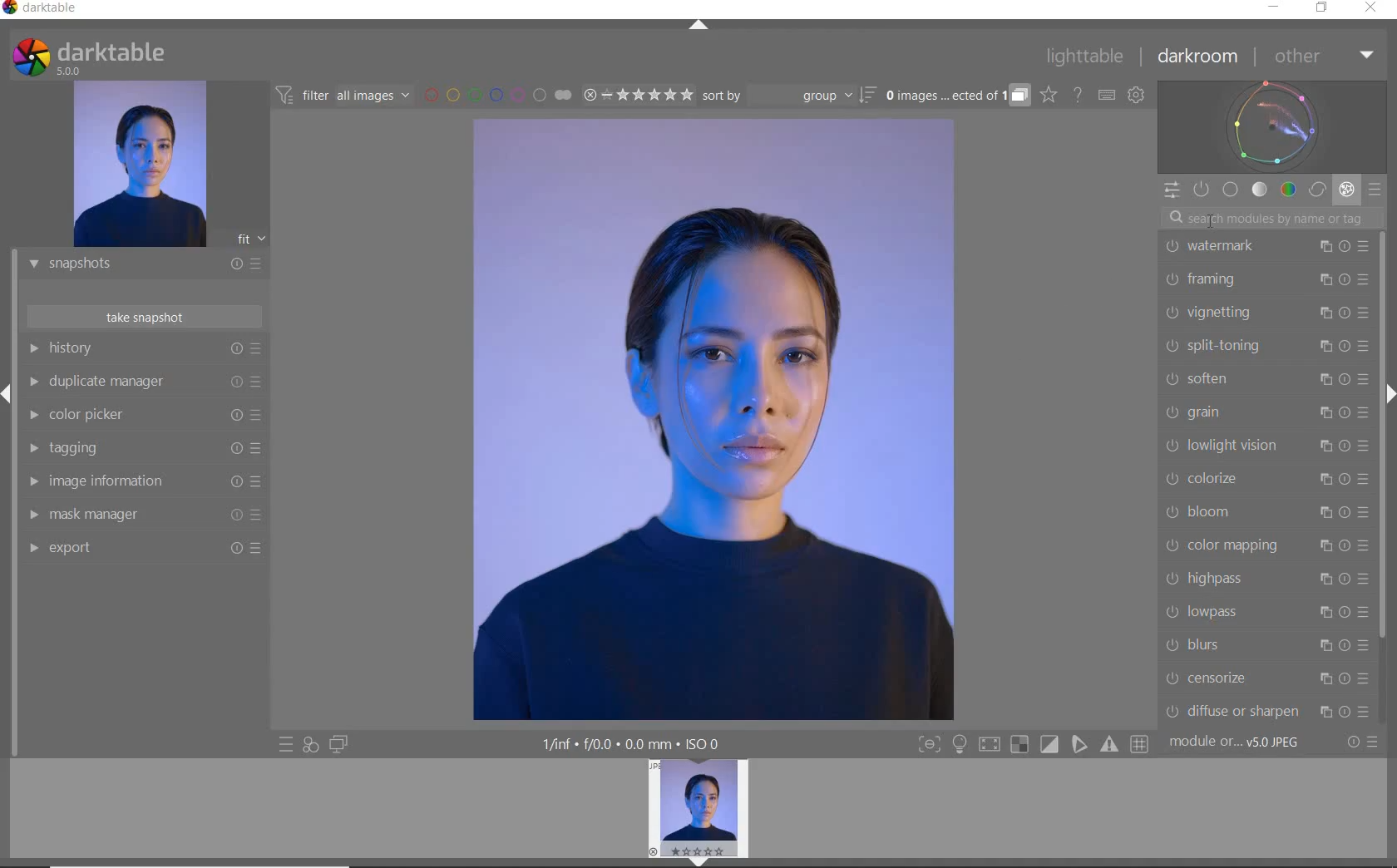 The height and width of the screenshot is (868, 1397). I want to click on DISPLAY A SECOND DARKROOM IMAGE WINDOW, so click(338, 744).